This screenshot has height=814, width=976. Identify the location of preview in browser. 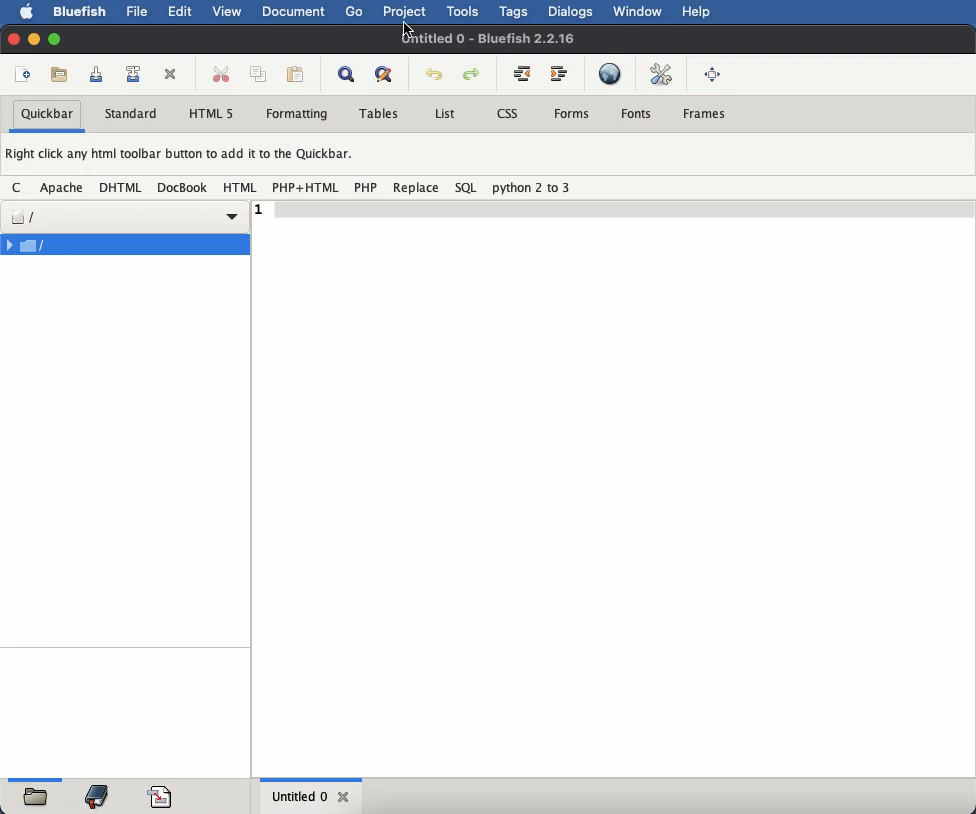
(610, 73).